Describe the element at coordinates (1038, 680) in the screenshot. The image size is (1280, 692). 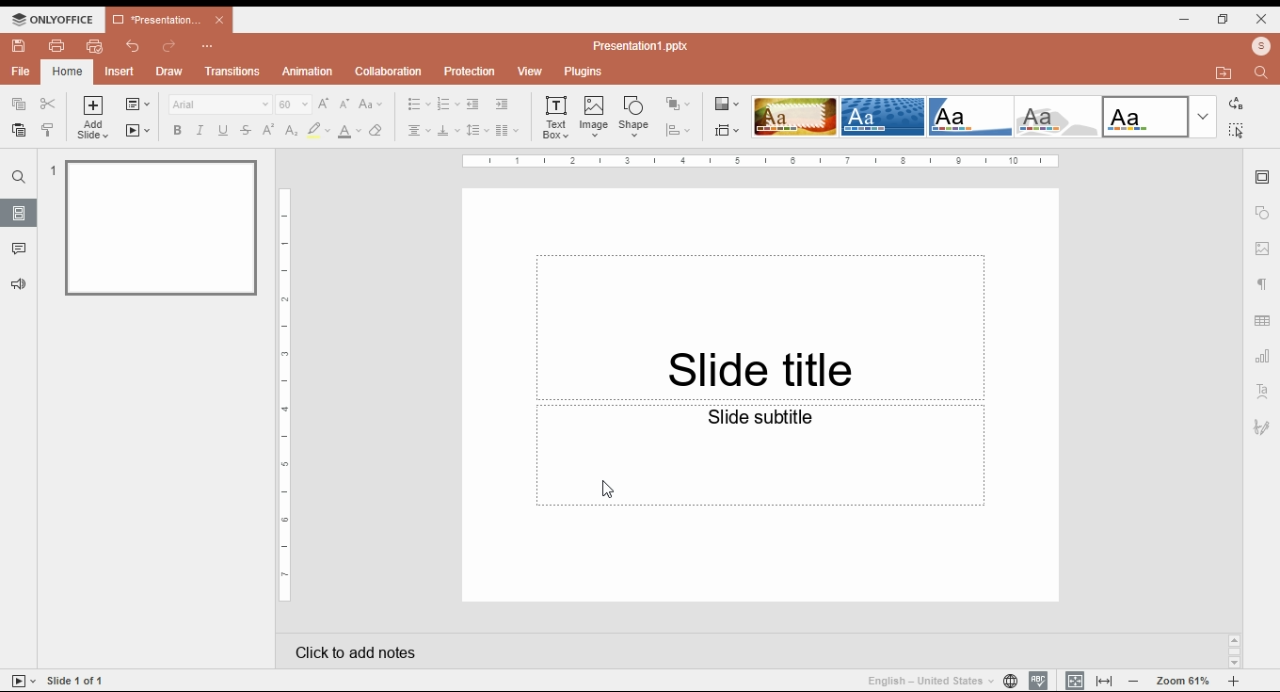
I see `spell check` at that location.